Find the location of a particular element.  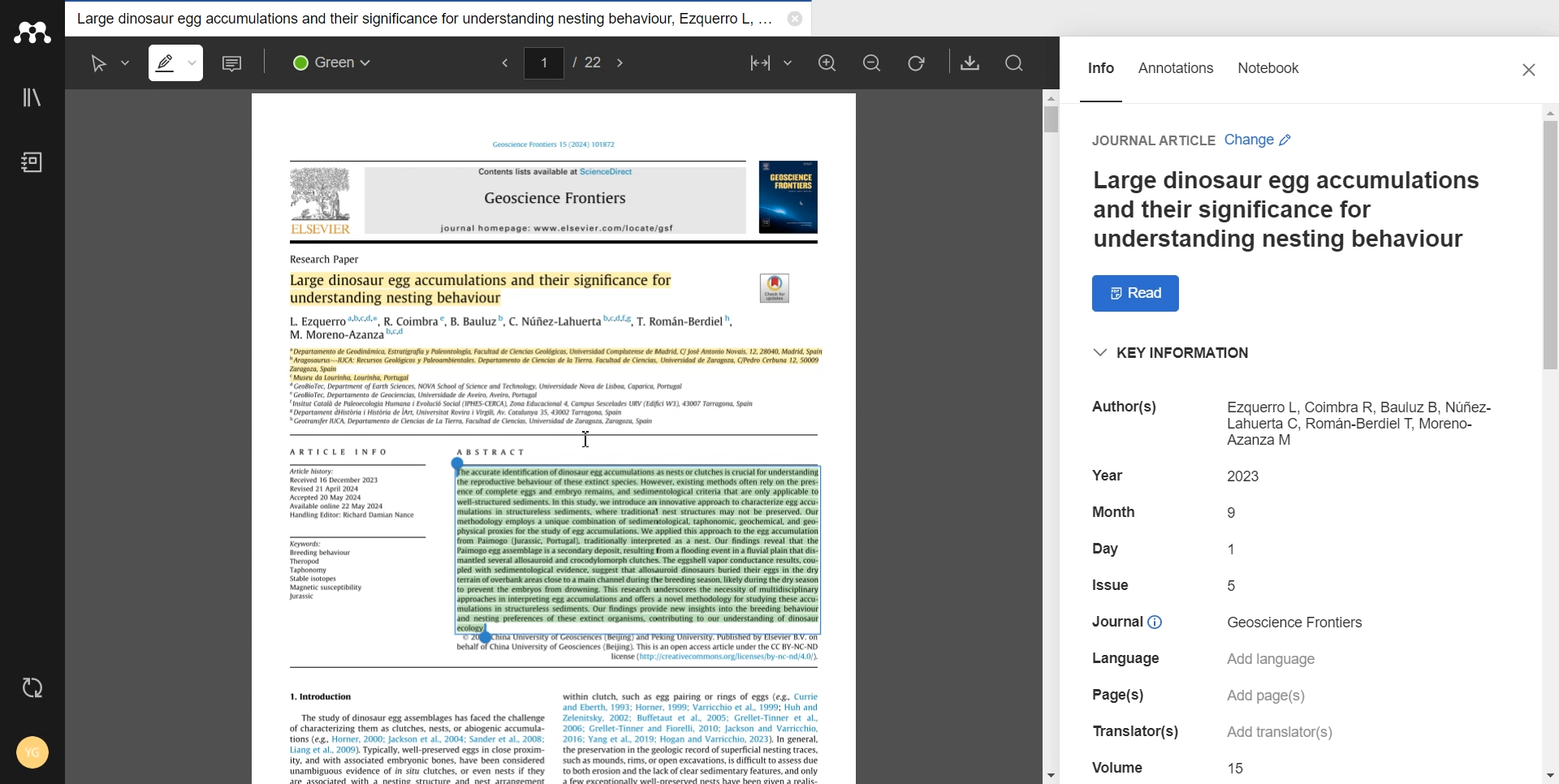

Key Information is located at coordinates (1175, 353).